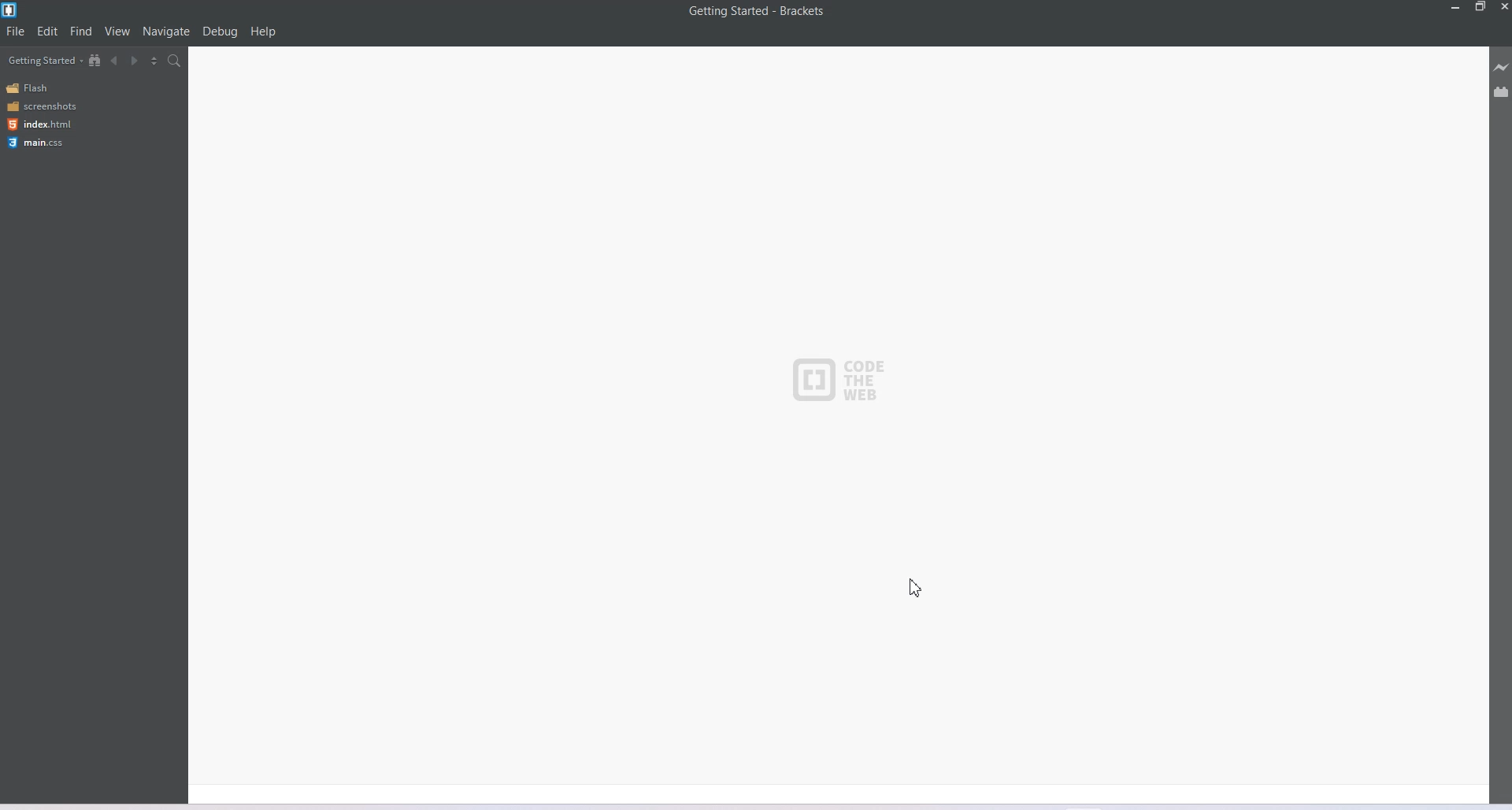 This screenshot has width=1512, height=810. What do you see at coordinates (135, 61) in the screenshot?
I see `Navigate Forwards` at bounding box center [135, 61].